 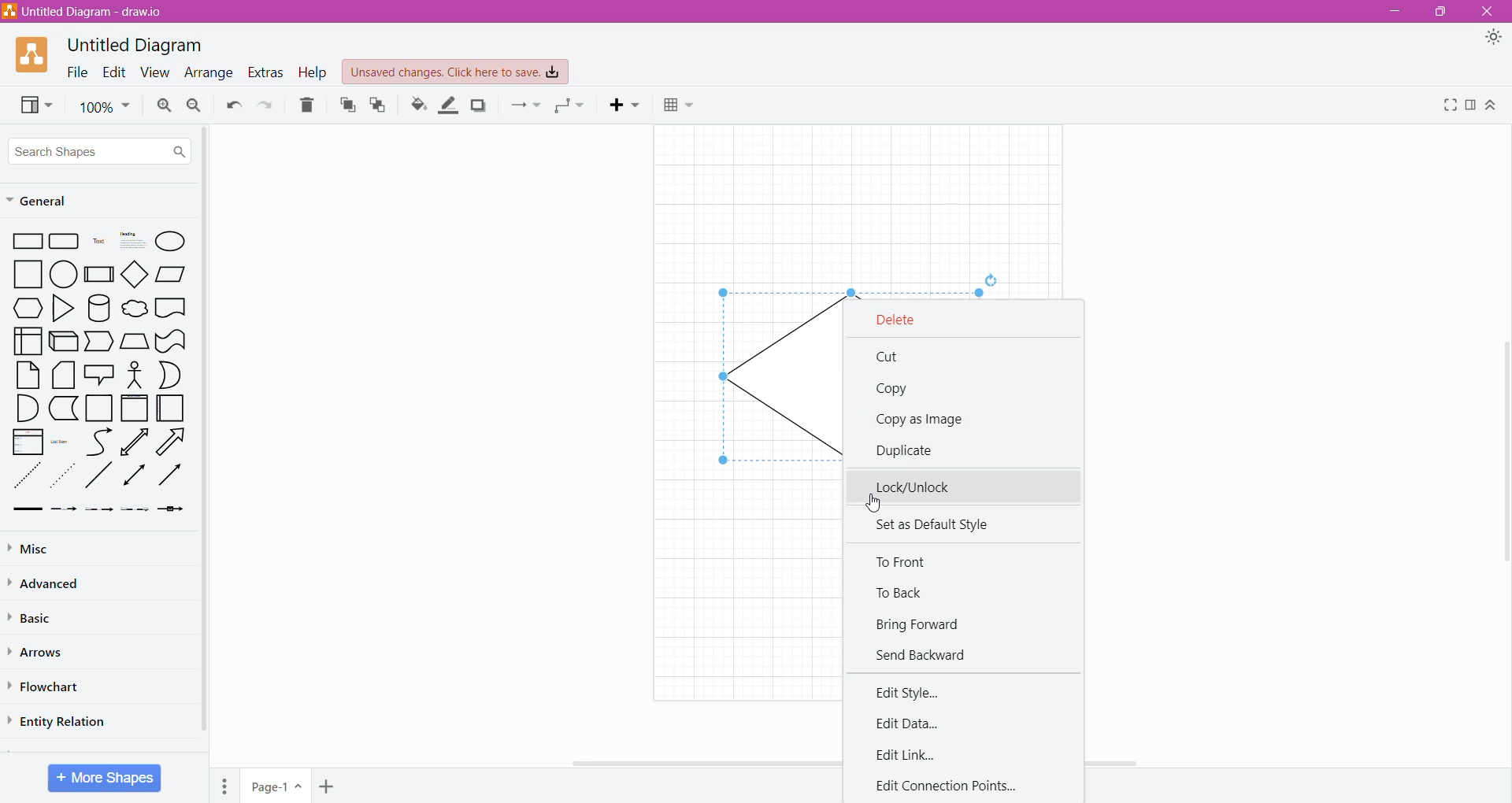 What do you see at coordinates (100, 373) in the screenshot?
I see `Shapes` at bounding box center [100, 373].